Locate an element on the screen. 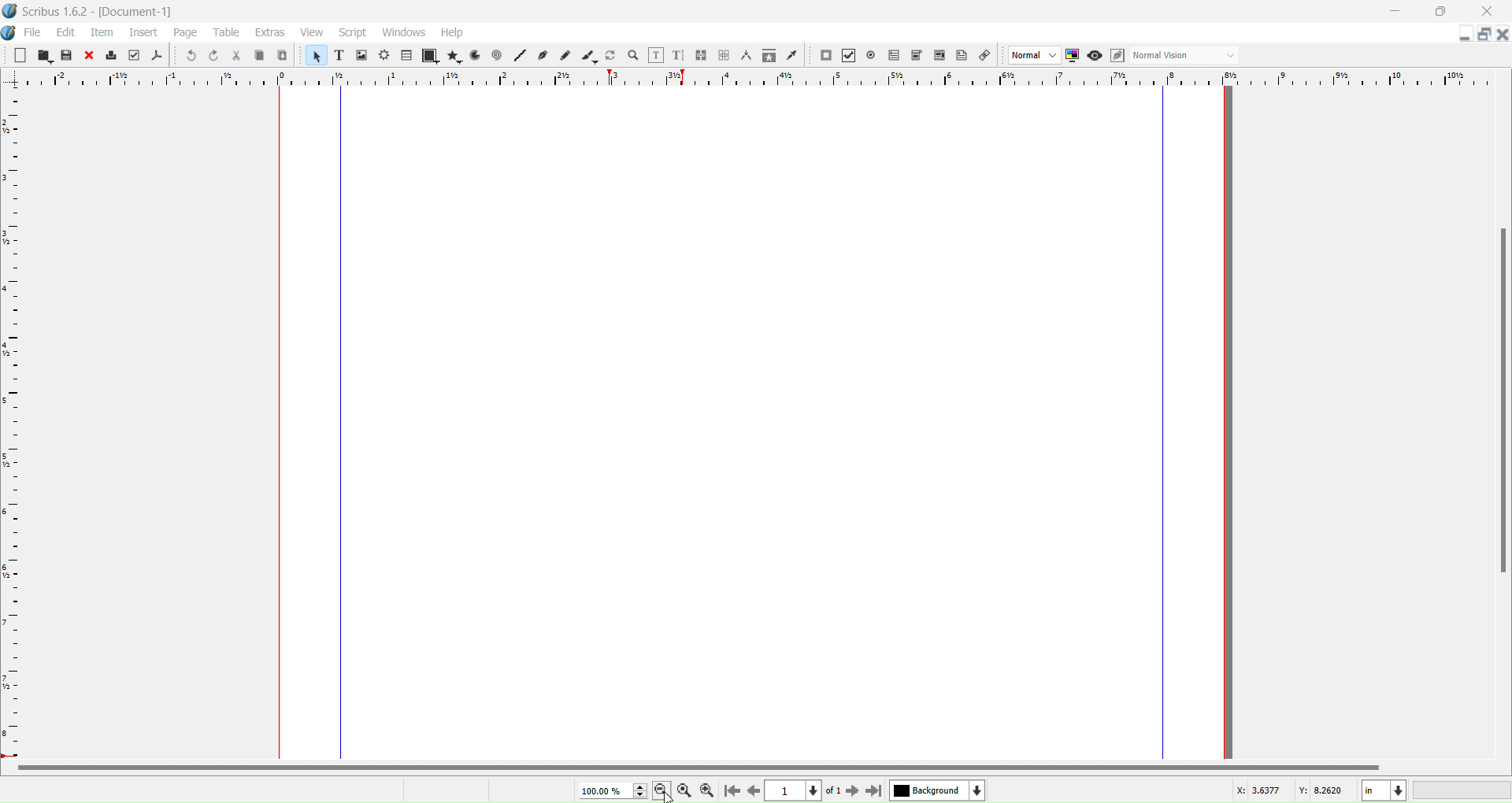  Select the current page is located at coordinates (804, 791).